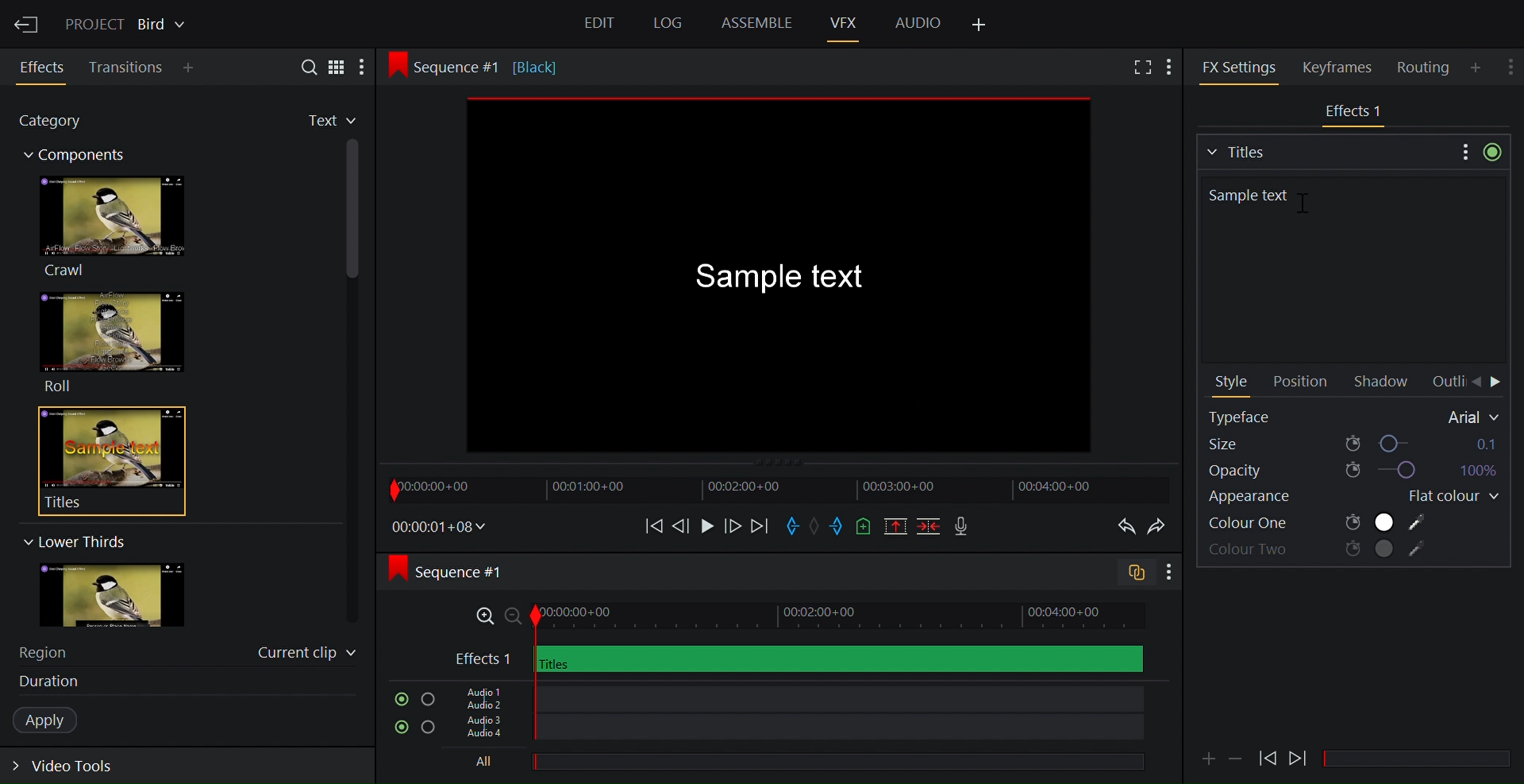 The width and height of the screenshot is (1524, 784). Describe the element at coordinates (1160, 527) in the screenshot. I see `Redo` at that location.